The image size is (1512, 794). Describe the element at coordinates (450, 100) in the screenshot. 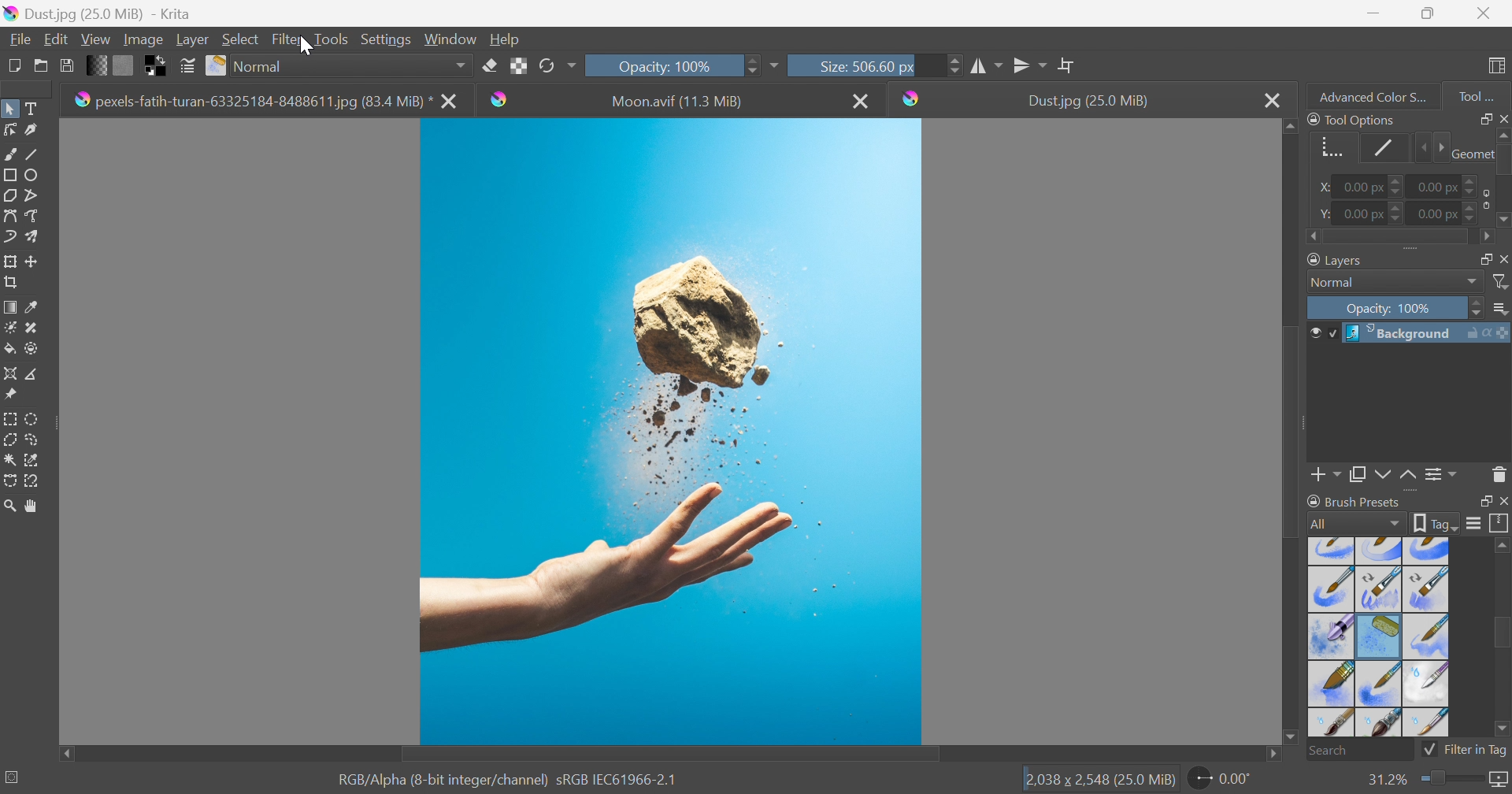

I see `cLOSE` at that location.